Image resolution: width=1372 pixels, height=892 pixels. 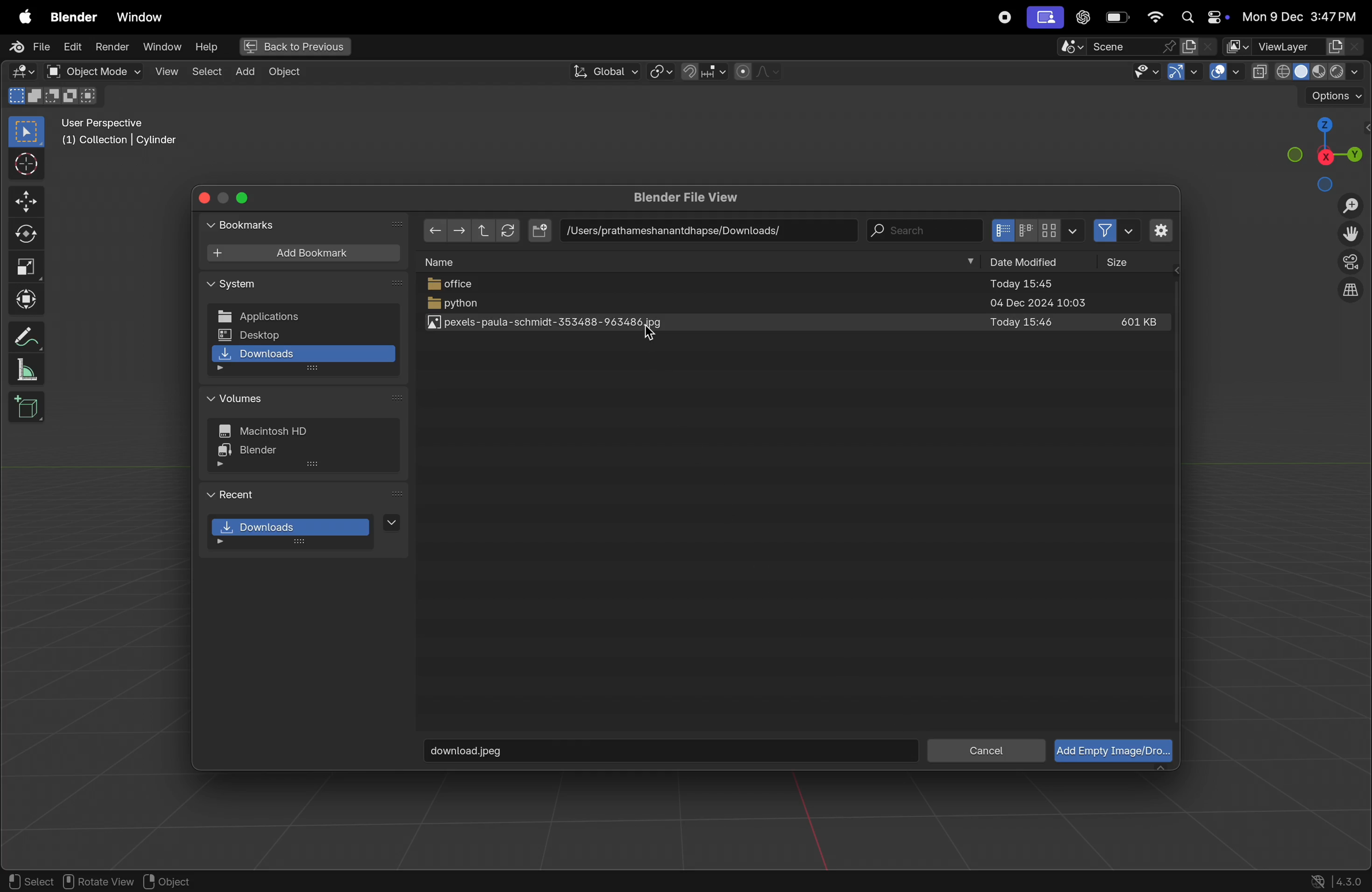 What do you see at coordinates (304, 531) in the screenshot?
I see `downloads` at bounding box center [304, 531].